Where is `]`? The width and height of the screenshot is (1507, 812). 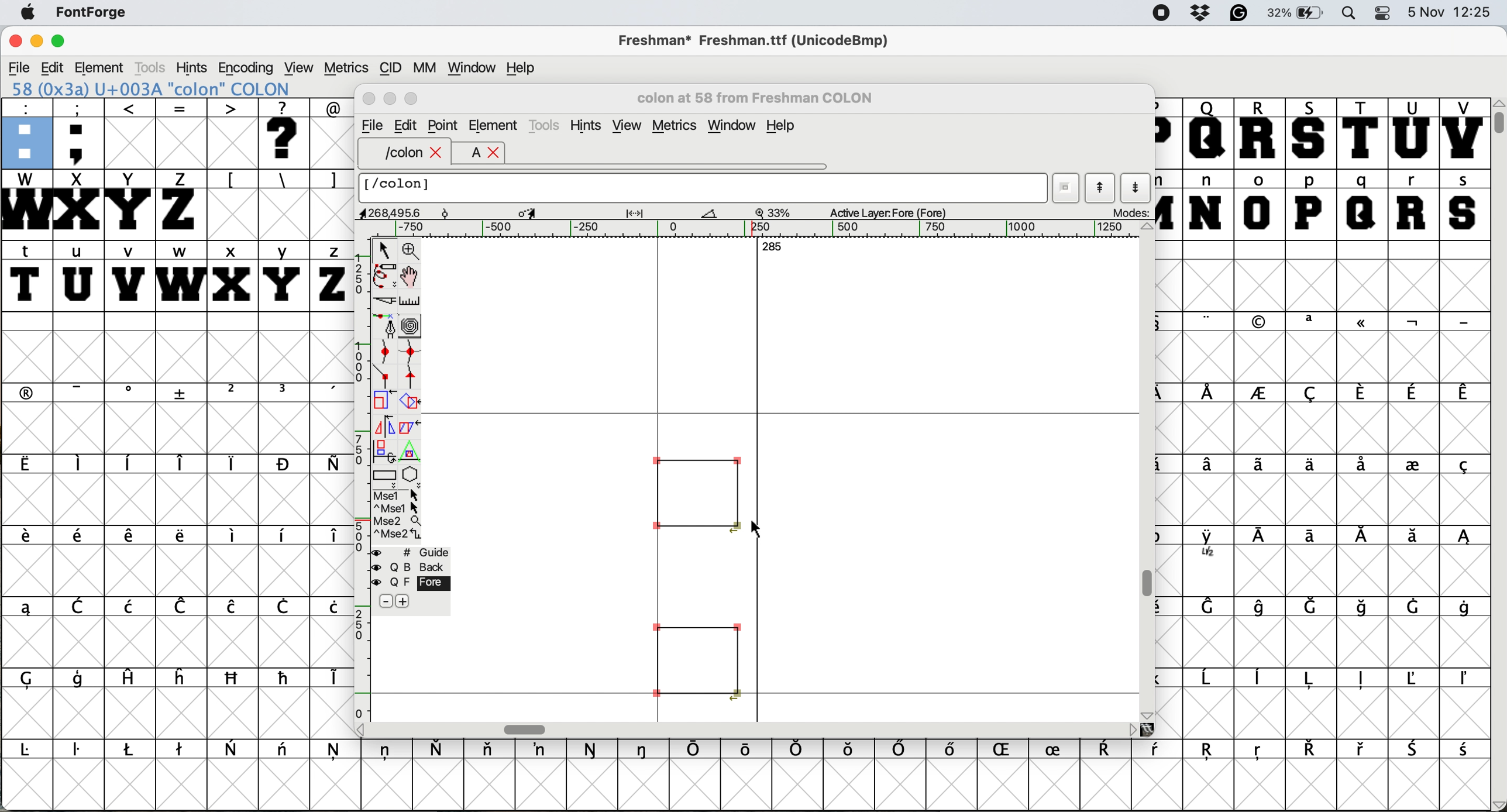 ] is located at coordinates (332, 180).